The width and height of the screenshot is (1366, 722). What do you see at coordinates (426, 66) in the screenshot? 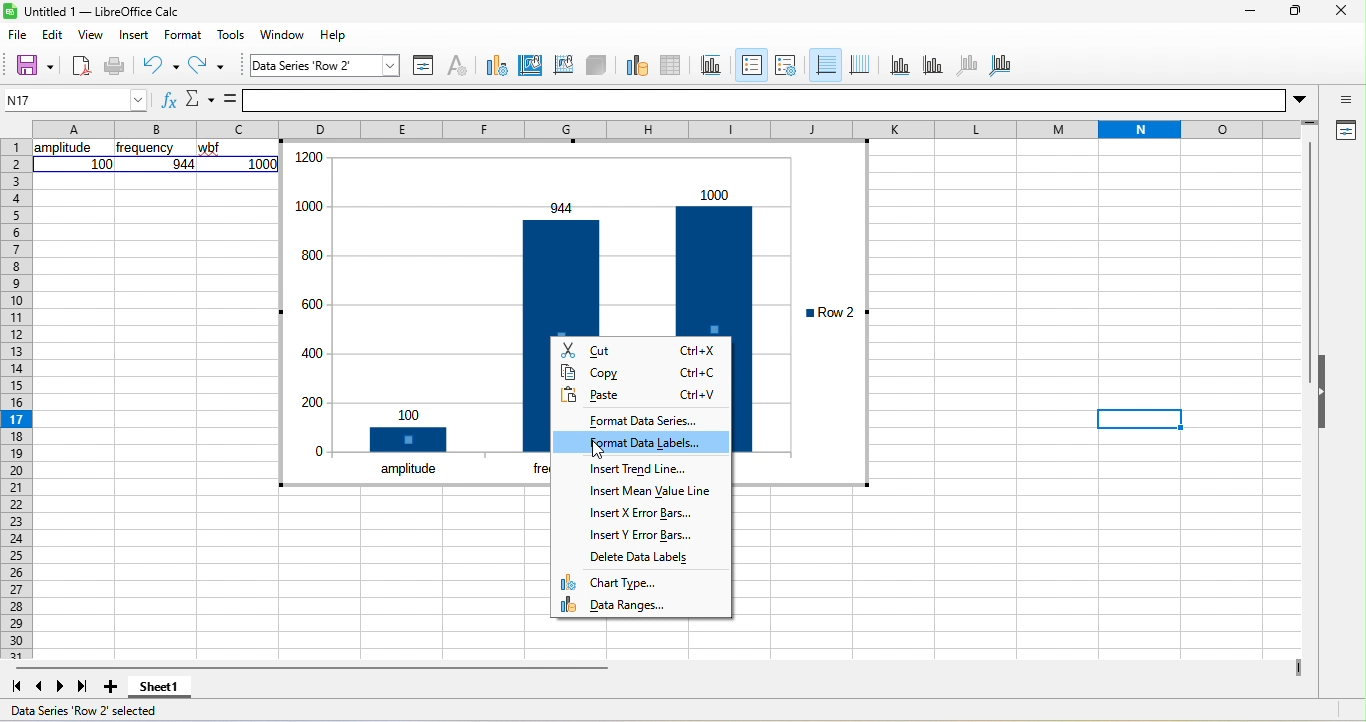
I see `format selection` at bounding box center [426, 66].